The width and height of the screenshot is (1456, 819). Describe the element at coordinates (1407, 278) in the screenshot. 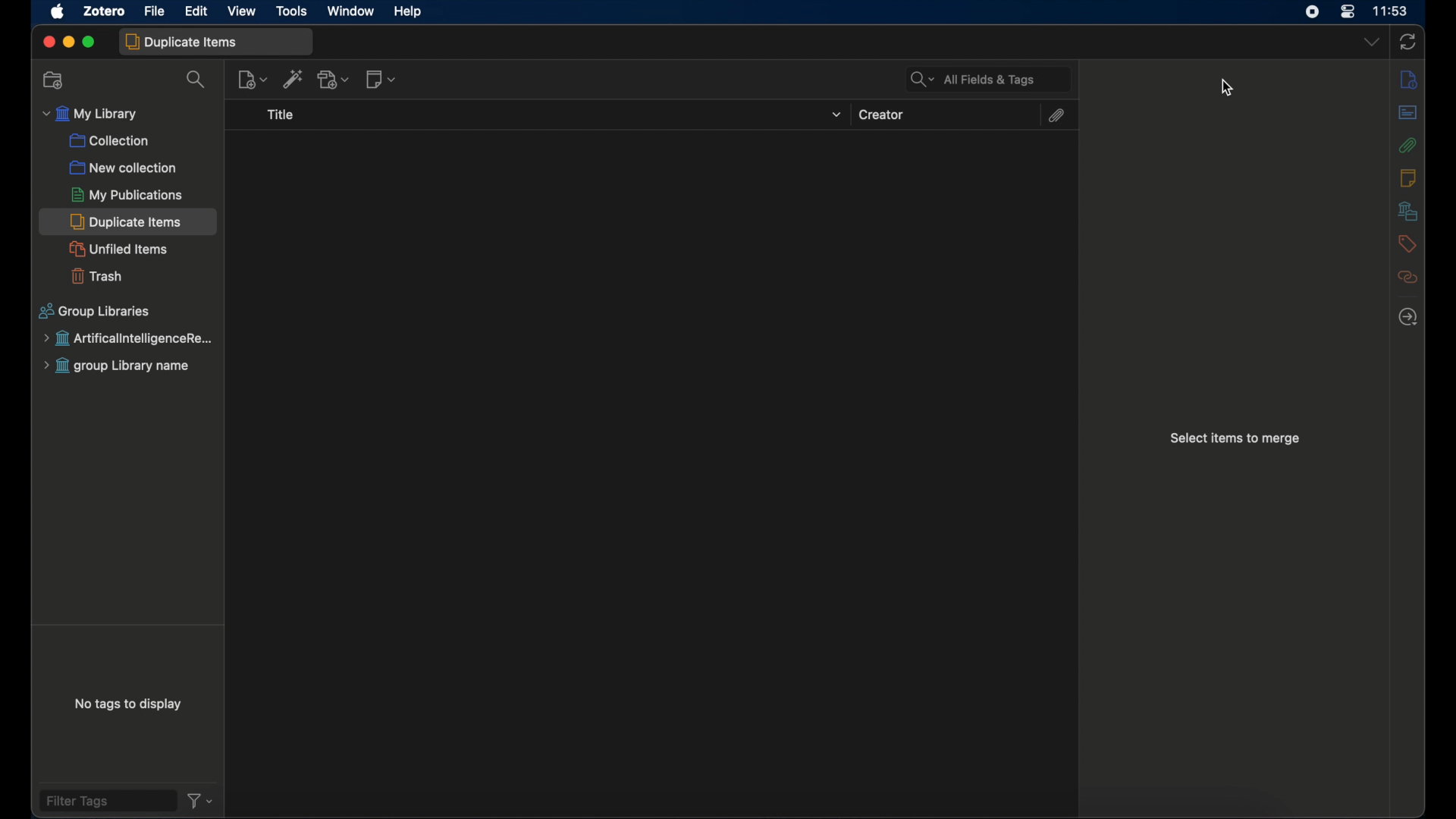

I see `related` at that location.